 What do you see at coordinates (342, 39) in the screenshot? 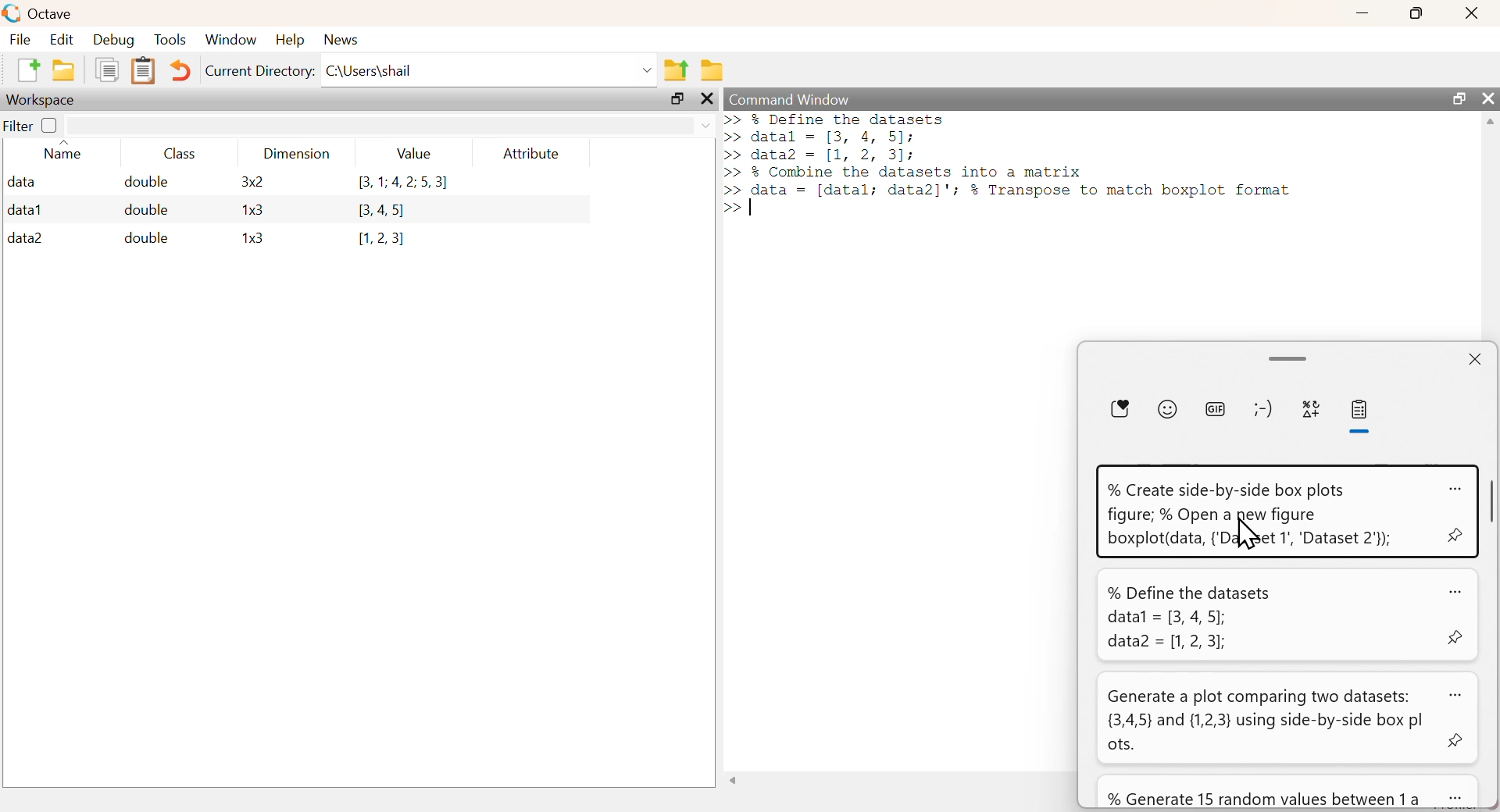
I see `News` at bounding box center [342, 39].